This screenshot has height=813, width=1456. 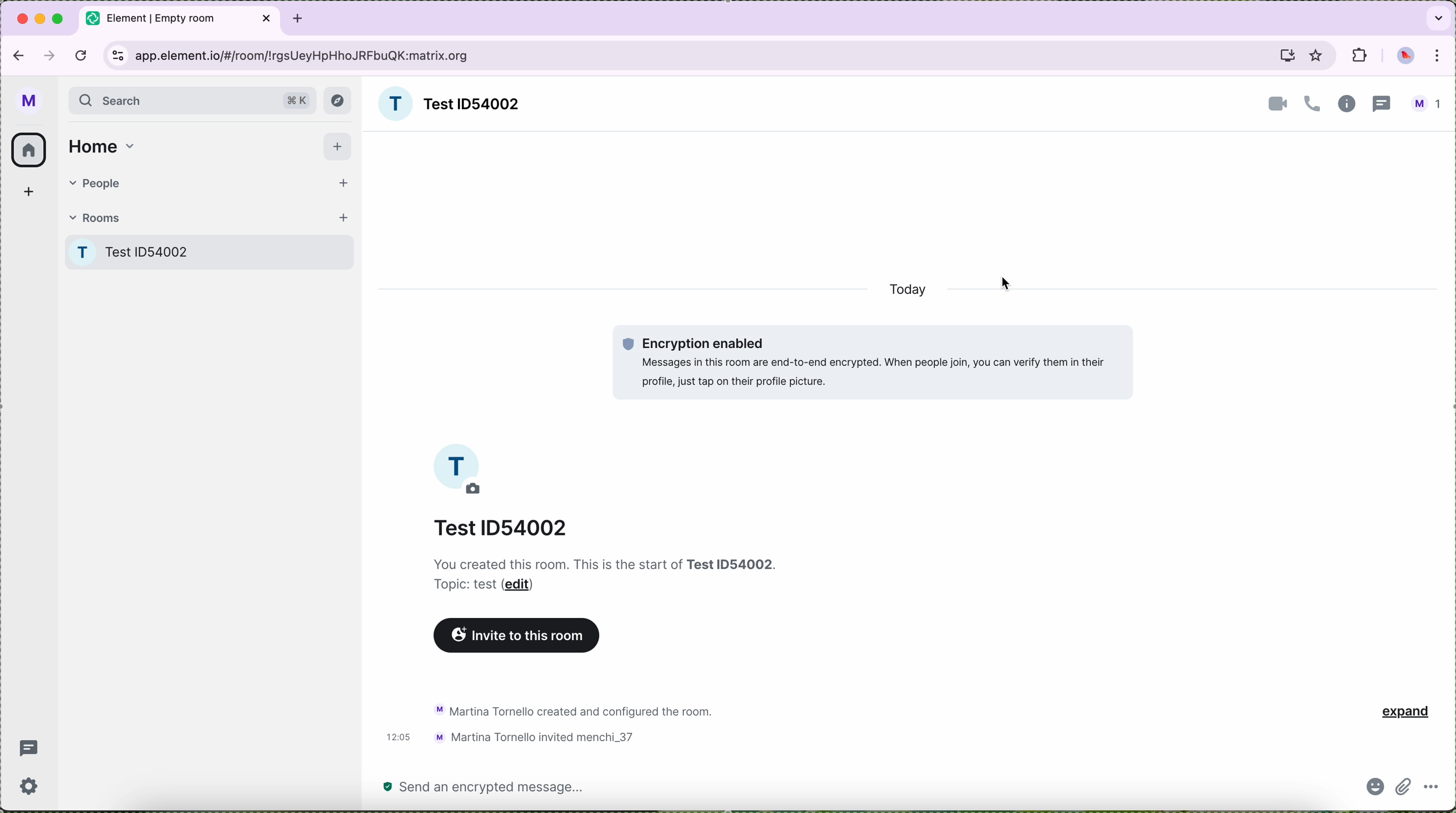 I want to click on tab, so click(x=298, y=17).